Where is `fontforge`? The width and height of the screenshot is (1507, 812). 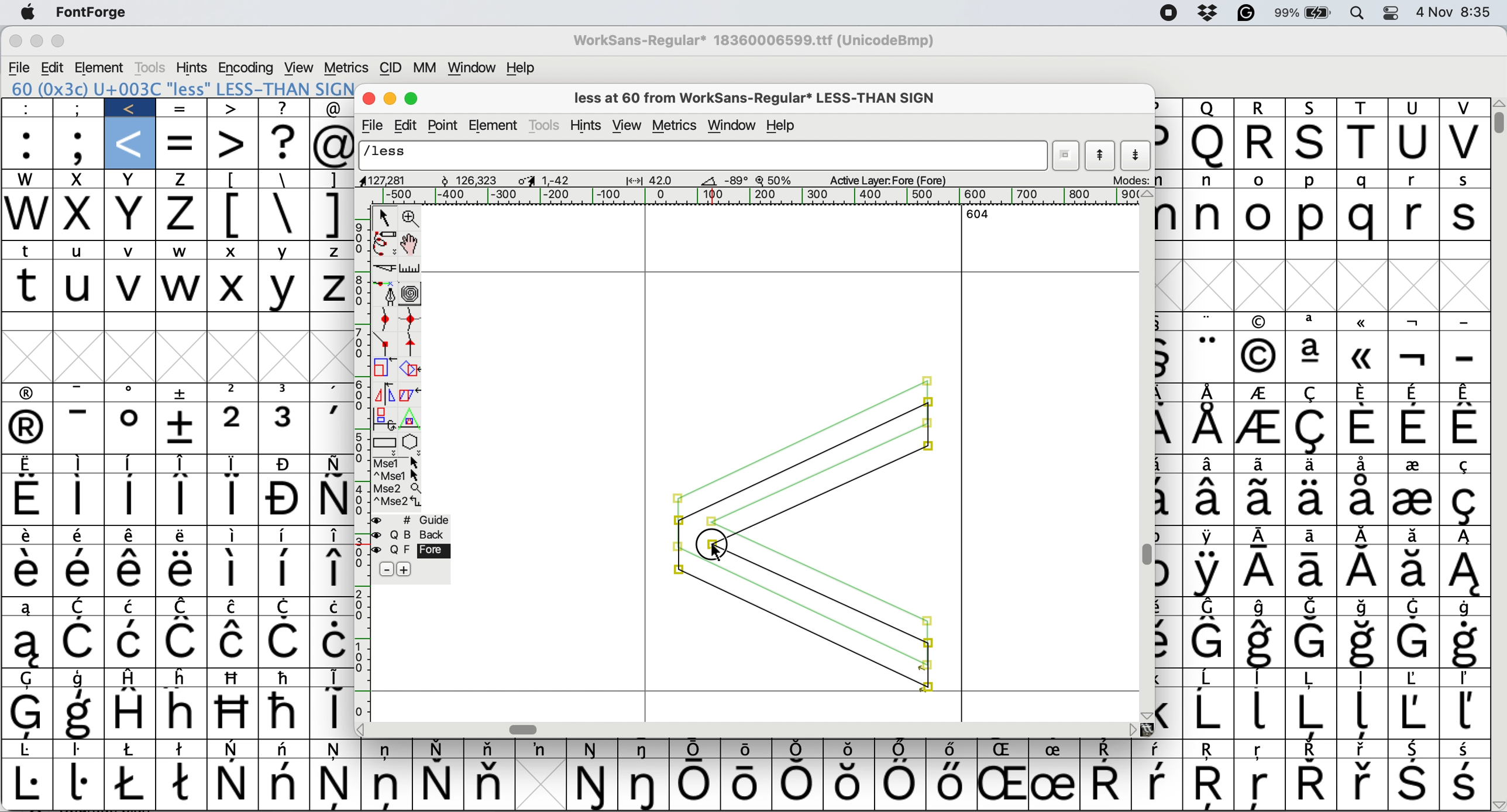
fontforge is located at coordinates (90, 13).